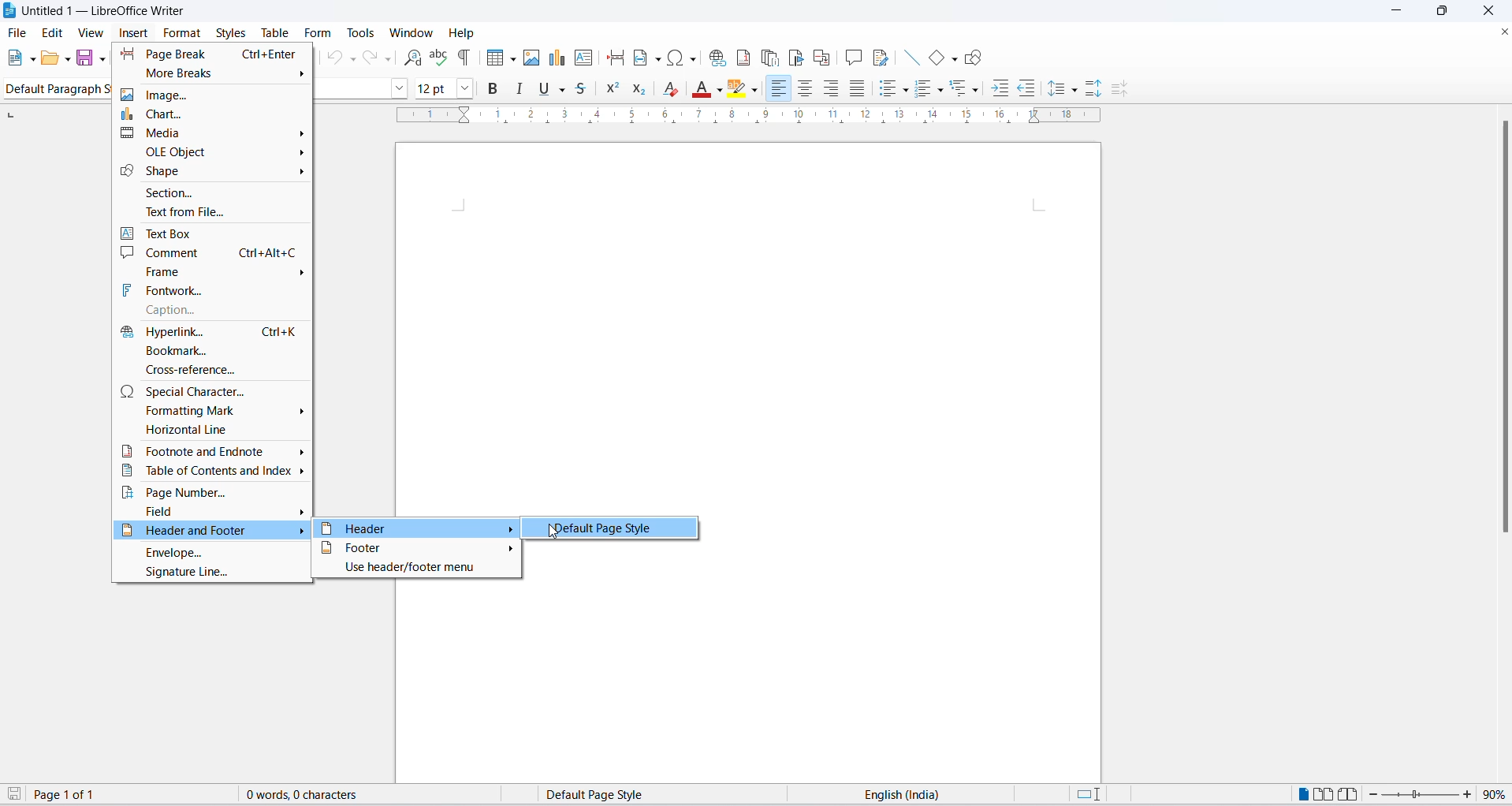 The image size is (1512, 806). I want to click on increase paragraph spacing, so click(1093, 88).